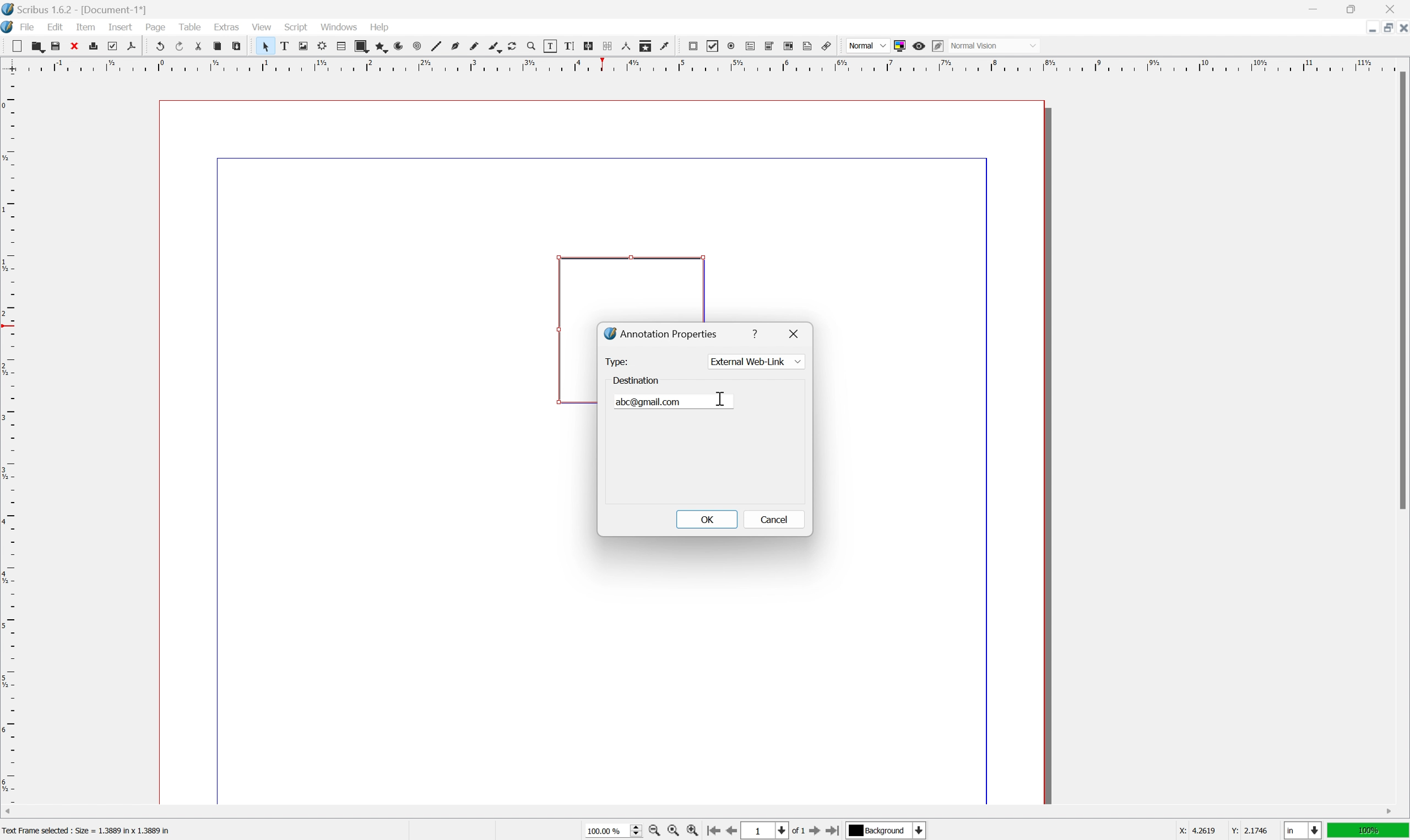 The image size is (1410, 840). I want to click on save, so click(56, 46).